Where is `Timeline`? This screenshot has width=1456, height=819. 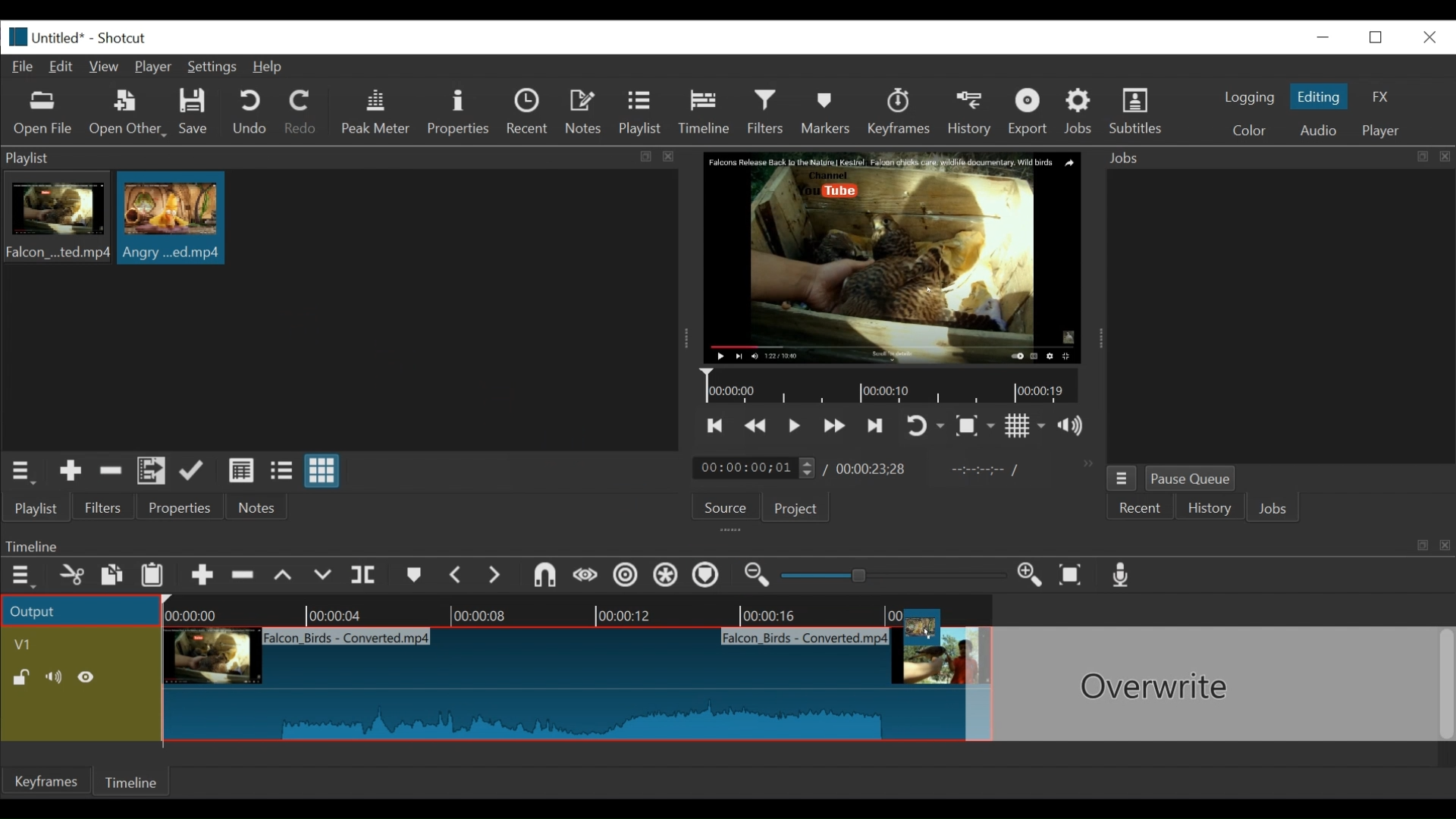
Timeline is located at coordinates (708, 109).